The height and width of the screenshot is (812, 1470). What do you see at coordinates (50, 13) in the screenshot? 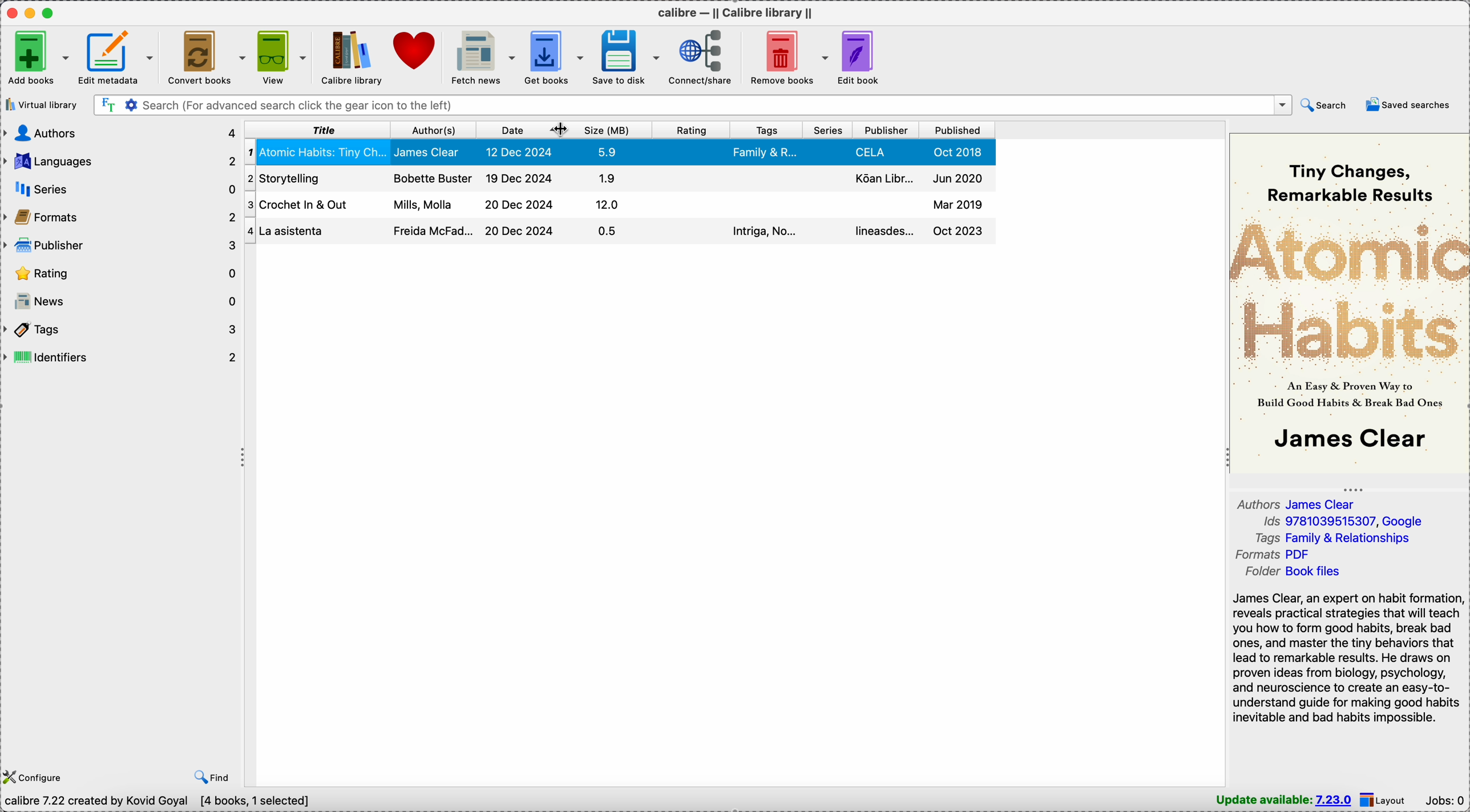
I see `maximize program` at bounding box center [50, 13].